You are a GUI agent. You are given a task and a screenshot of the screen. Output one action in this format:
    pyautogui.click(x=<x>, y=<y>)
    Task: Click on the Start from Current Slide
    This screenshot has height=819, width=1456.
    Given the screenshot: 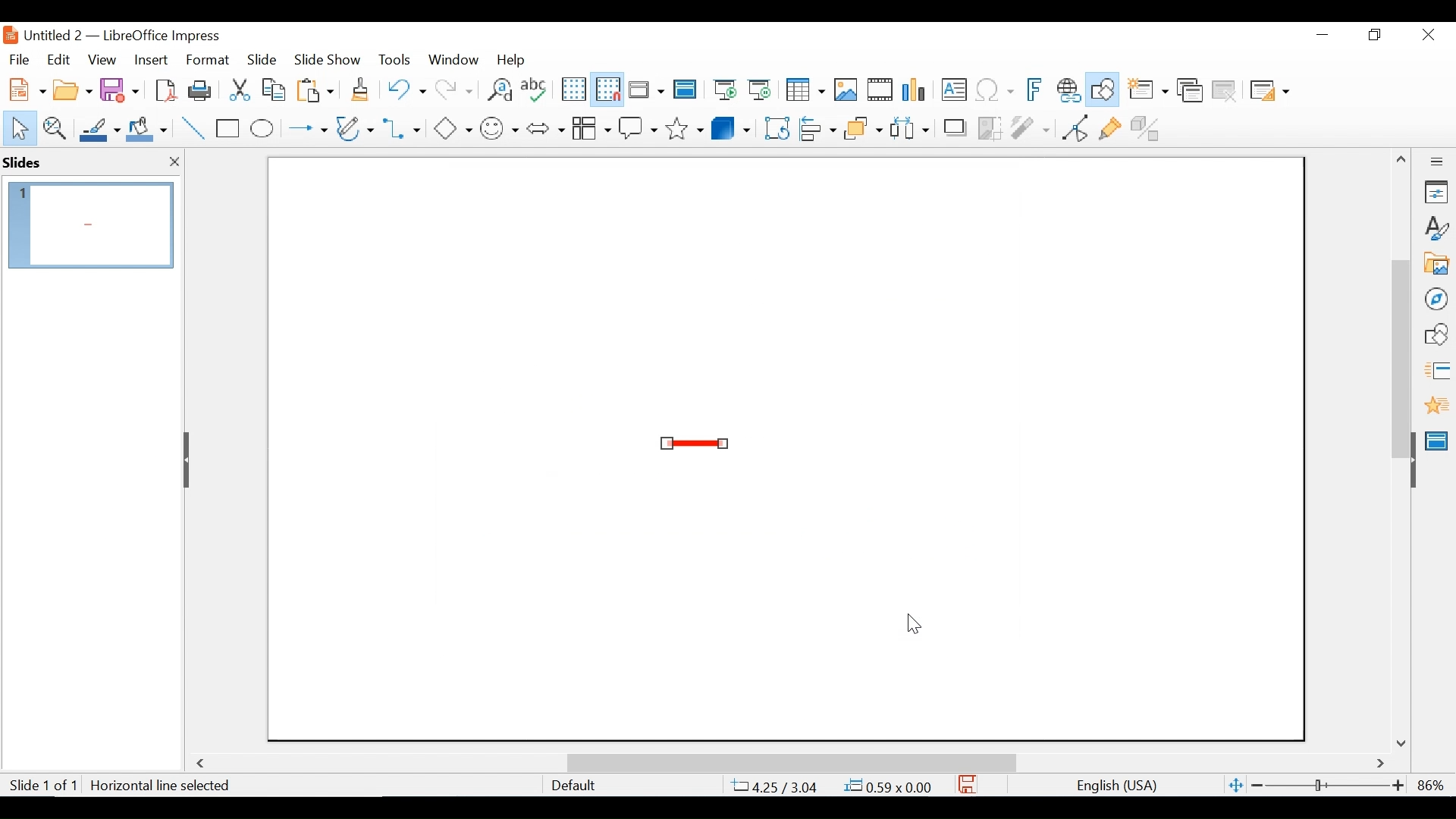 What is the action you would take?
    pyautogui.click(x=759, y=91)
    